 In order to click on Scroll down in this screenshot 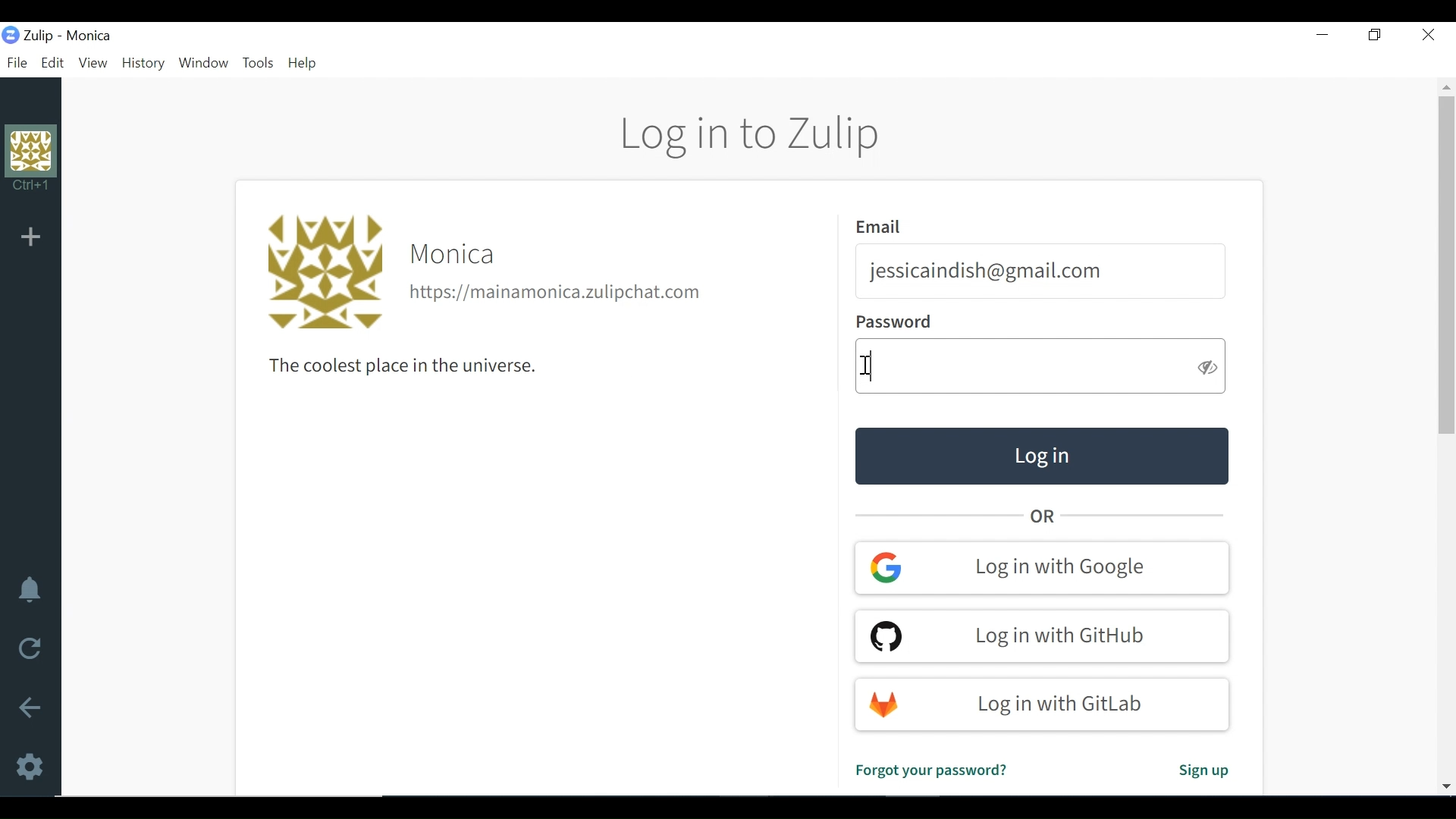, I will do `click(1445, 783)`.